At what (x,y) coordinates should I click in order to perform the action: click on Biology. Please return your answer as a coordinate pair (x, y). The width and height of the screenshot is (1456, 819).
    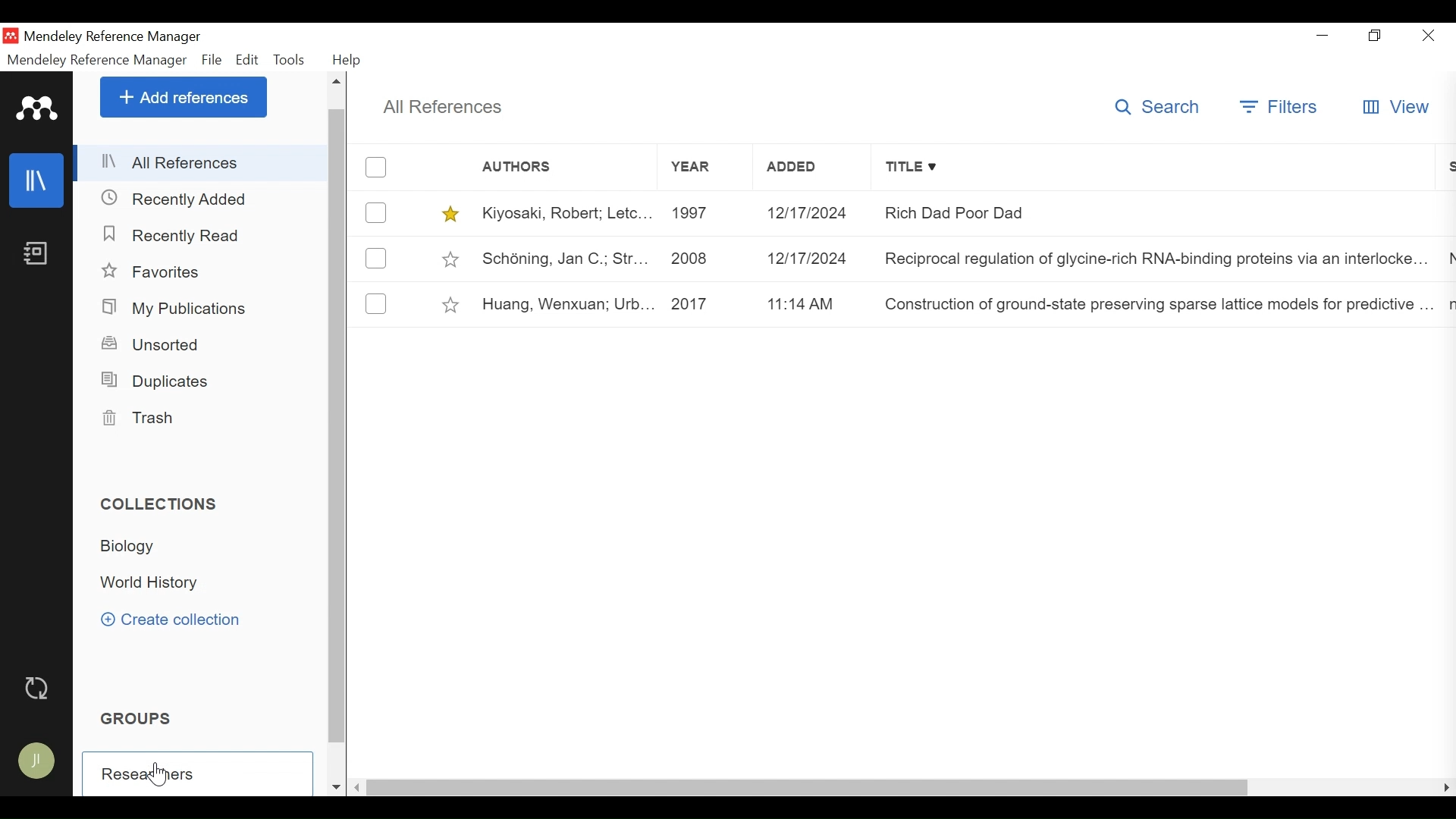
    Looking at the image, I should click on (137, 548).